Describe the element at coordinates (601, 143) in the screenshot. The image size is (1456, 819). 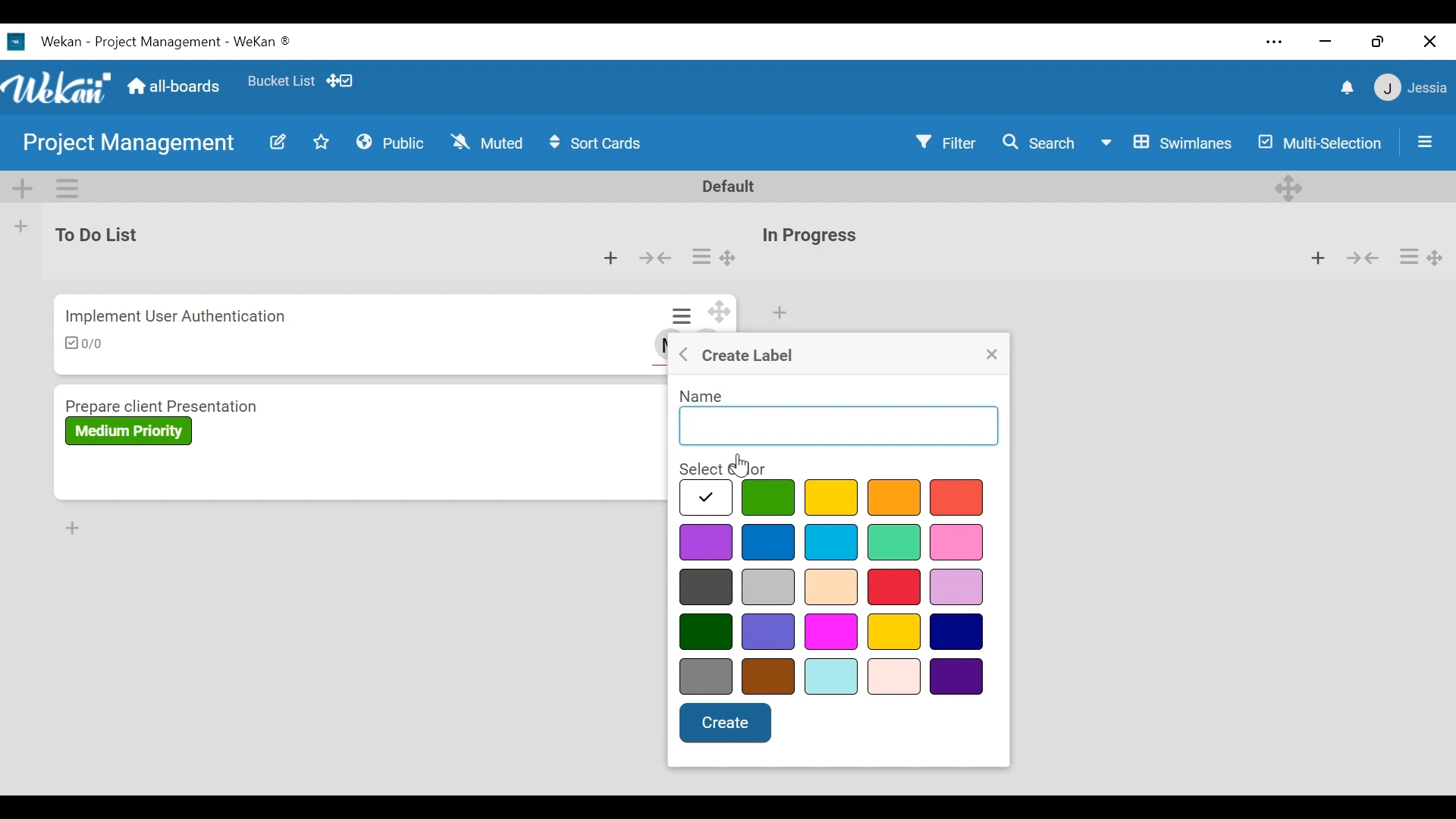
I see `Sort Cards` at that location.